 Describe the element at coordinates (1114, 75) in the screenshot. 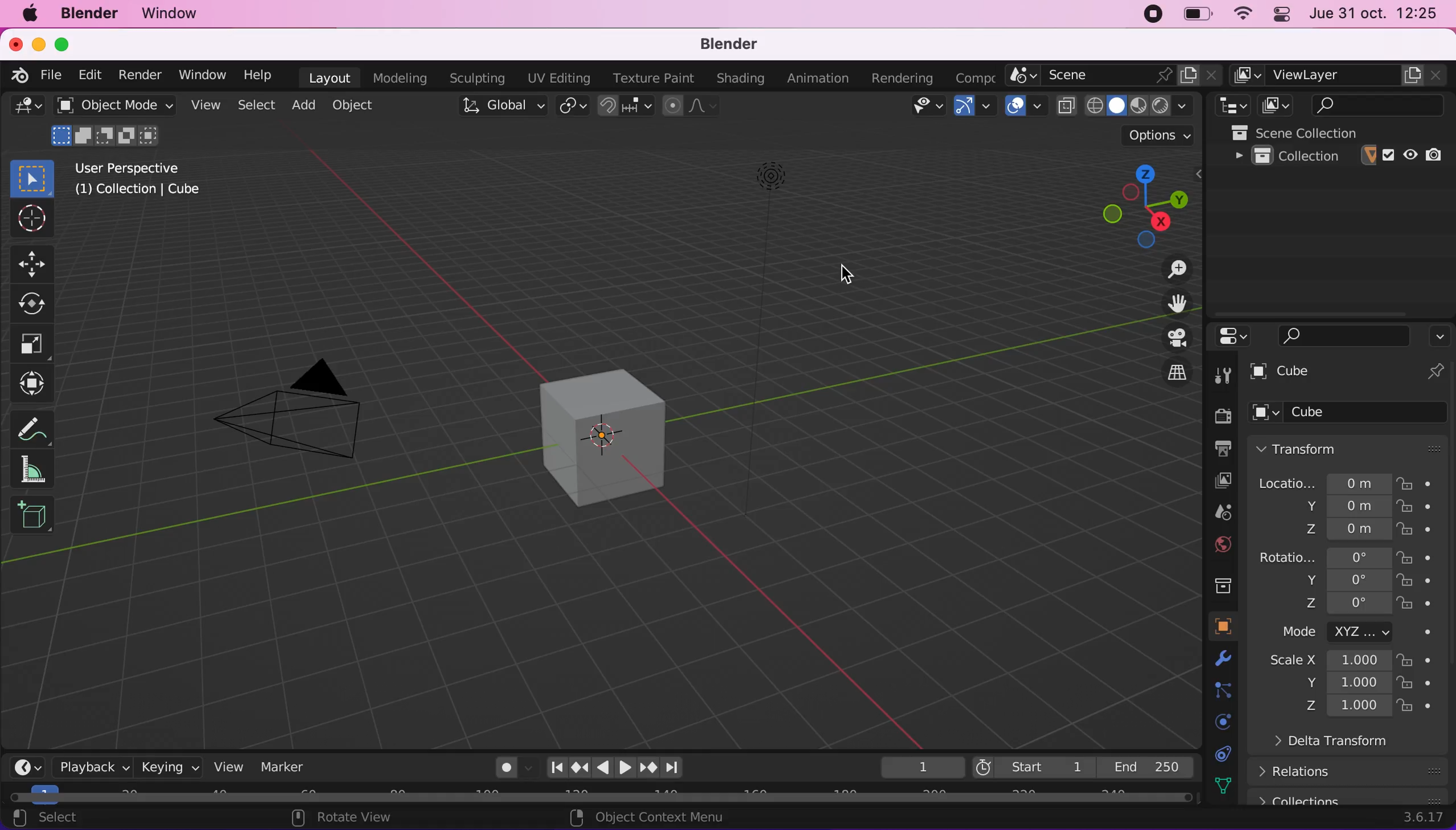

I see `scene` at that location.